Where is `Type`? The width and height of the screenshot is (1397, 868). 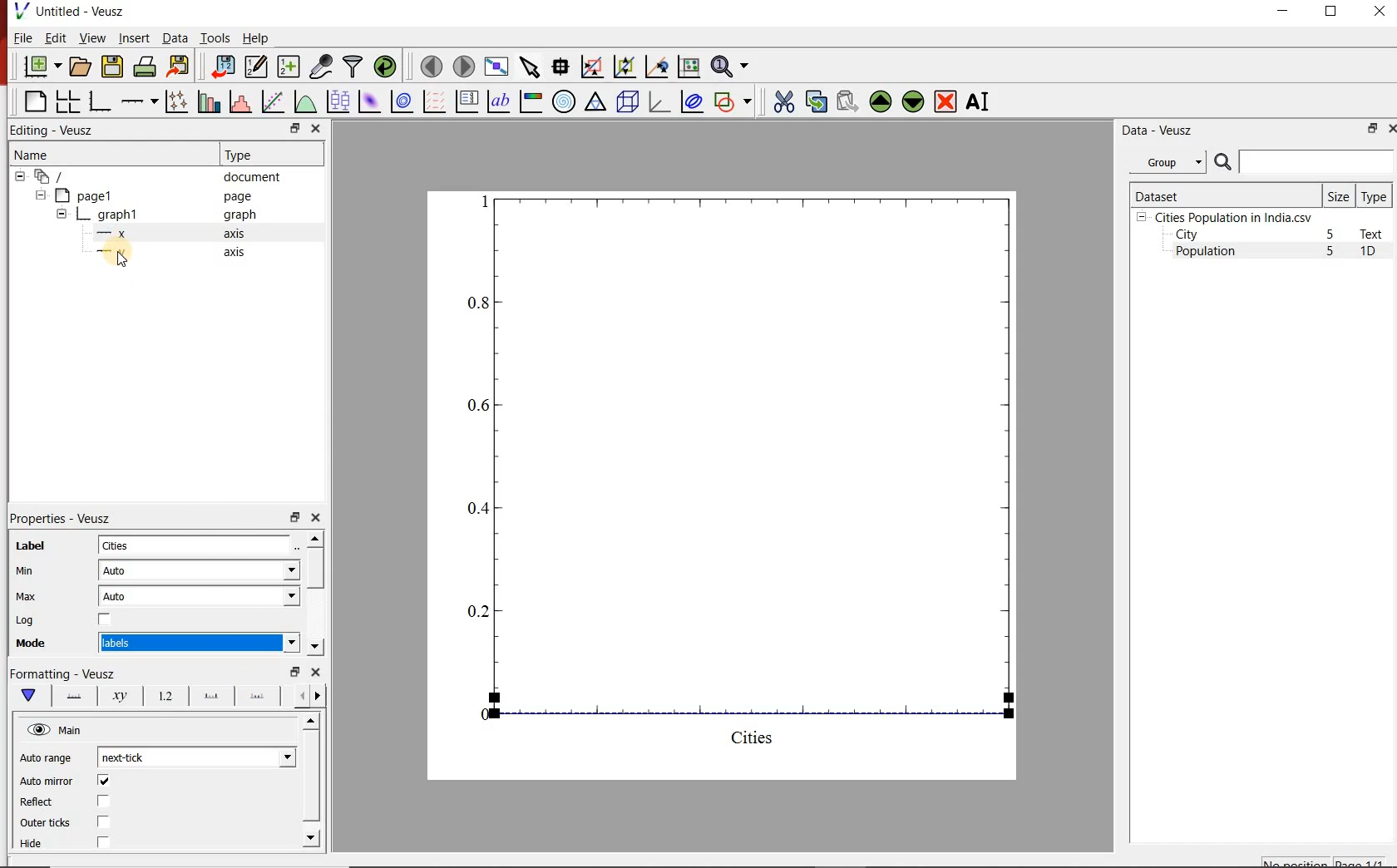
Type is located at coordinates (269, 155).